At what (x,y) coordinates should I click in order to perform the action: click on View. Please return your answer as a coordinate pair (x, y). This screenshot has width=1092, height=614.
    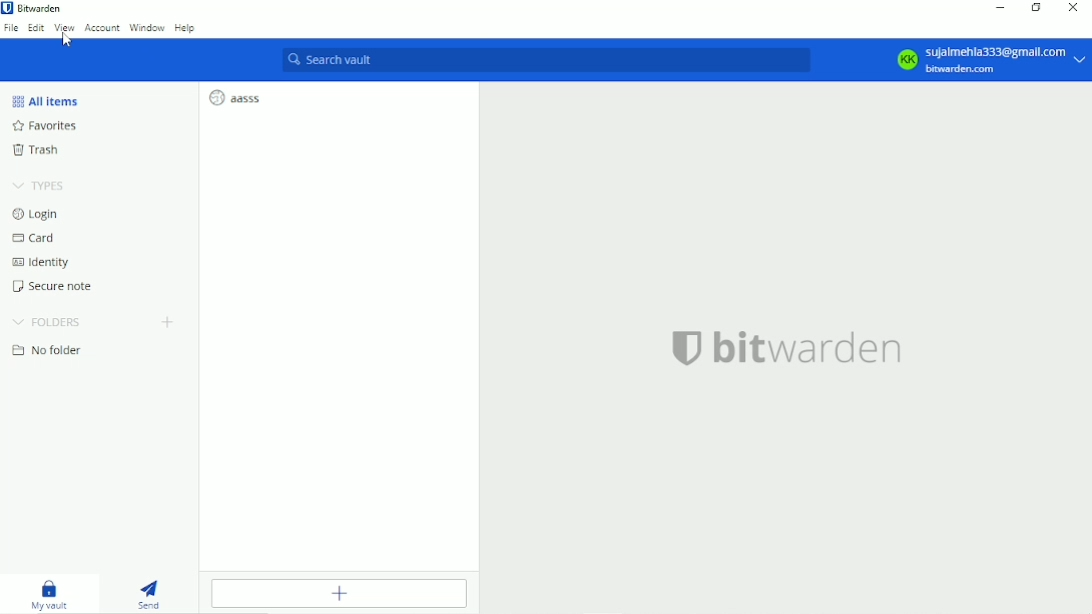
    Looking at the image, I should click on (65, 28).